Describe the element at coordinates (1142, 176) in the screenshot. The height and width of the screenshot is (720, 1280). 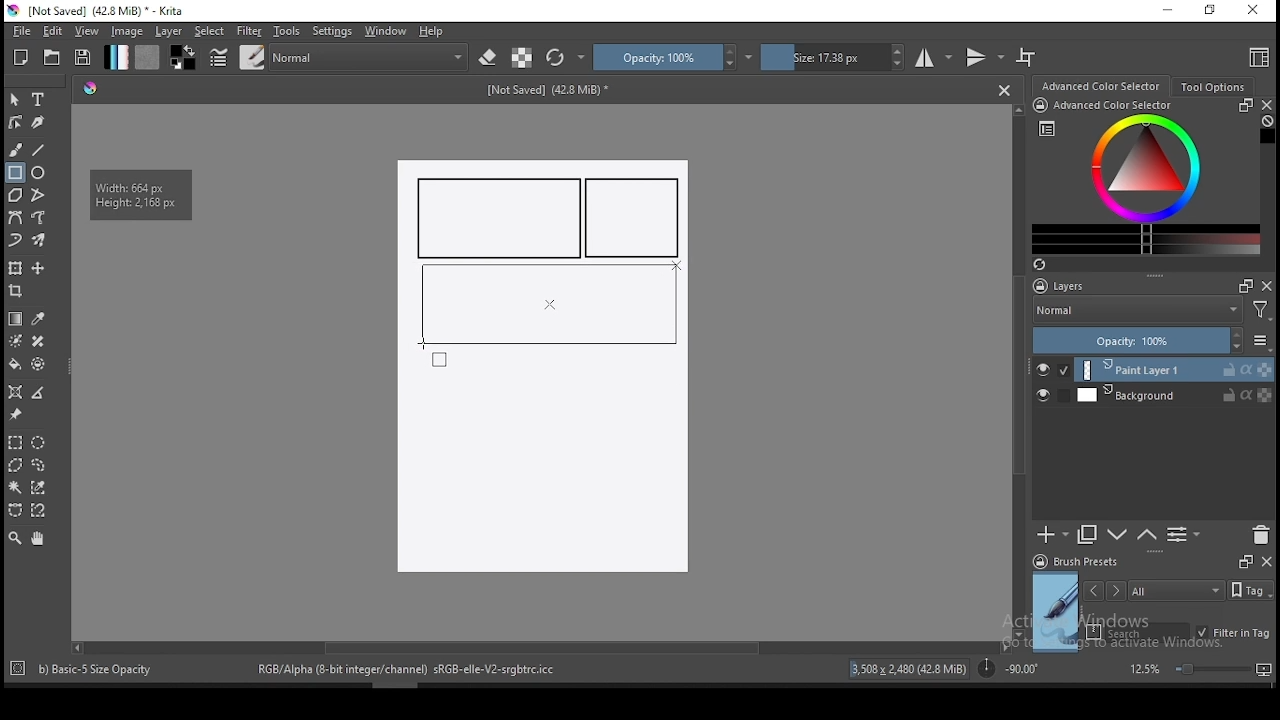
I see `advanced color selector` at that location.